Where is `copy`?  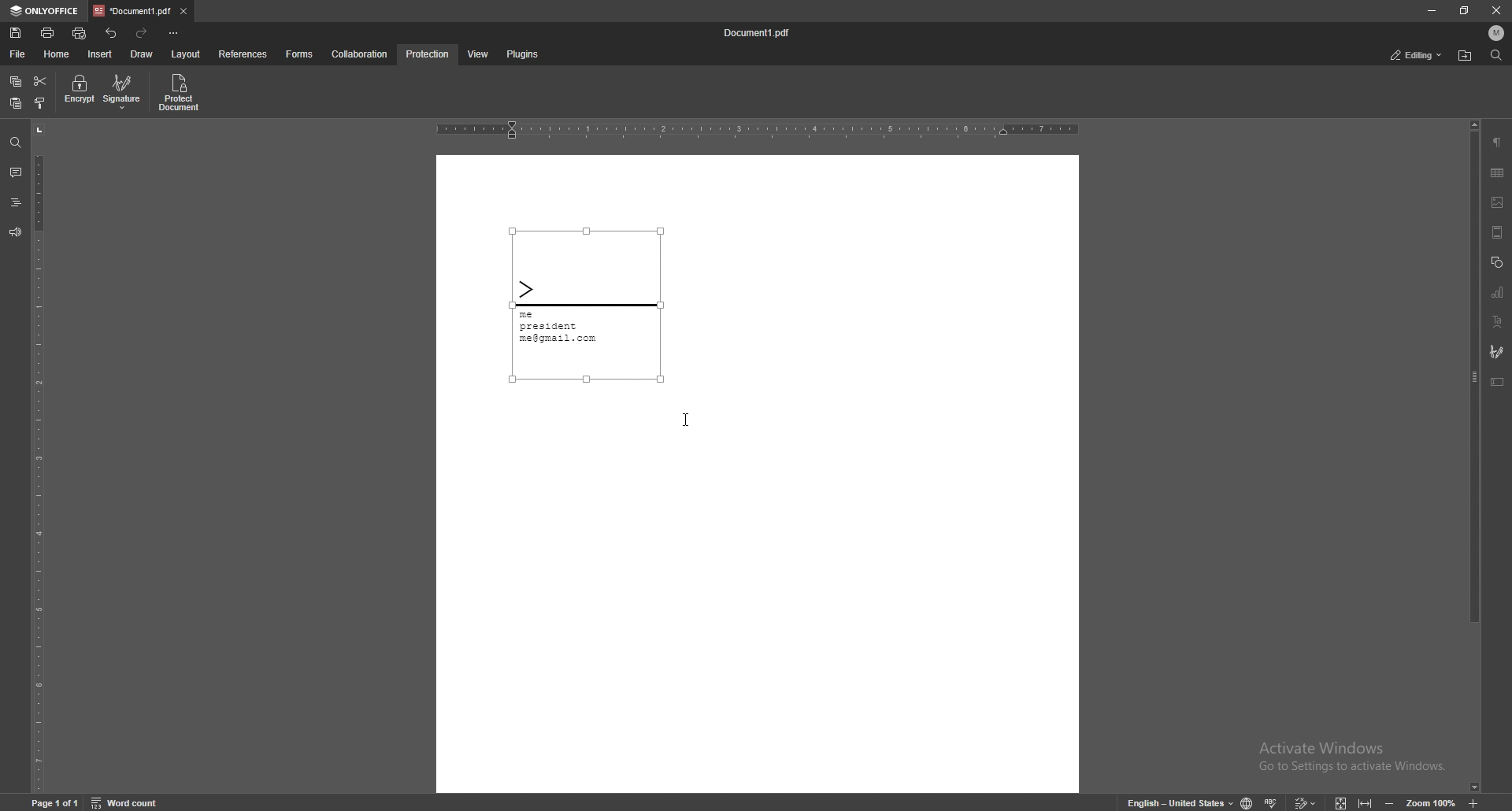 copy is located at coordinates (16, 82).